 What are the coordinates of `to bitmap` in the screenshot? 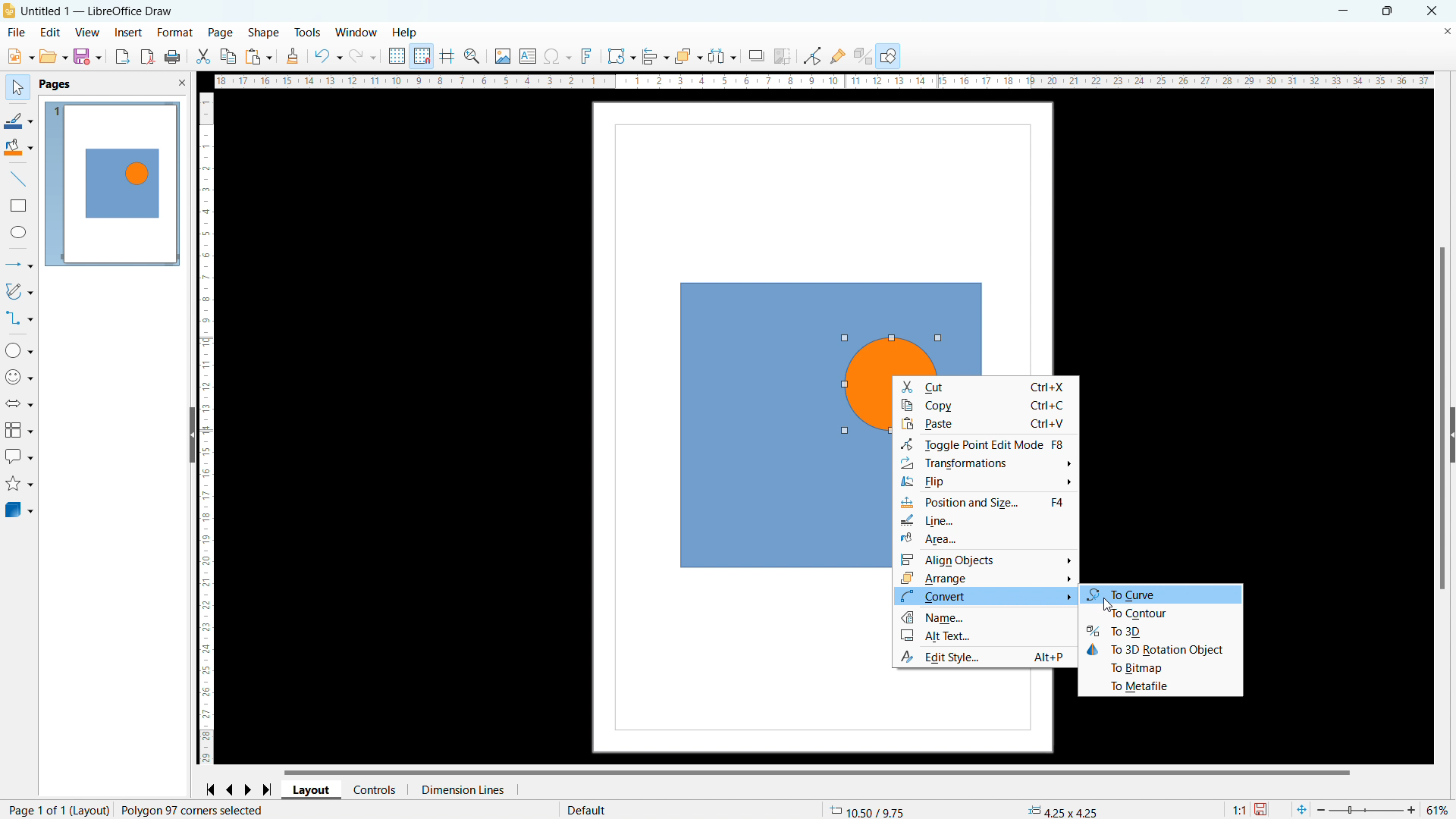 It's located at (1160, 669).